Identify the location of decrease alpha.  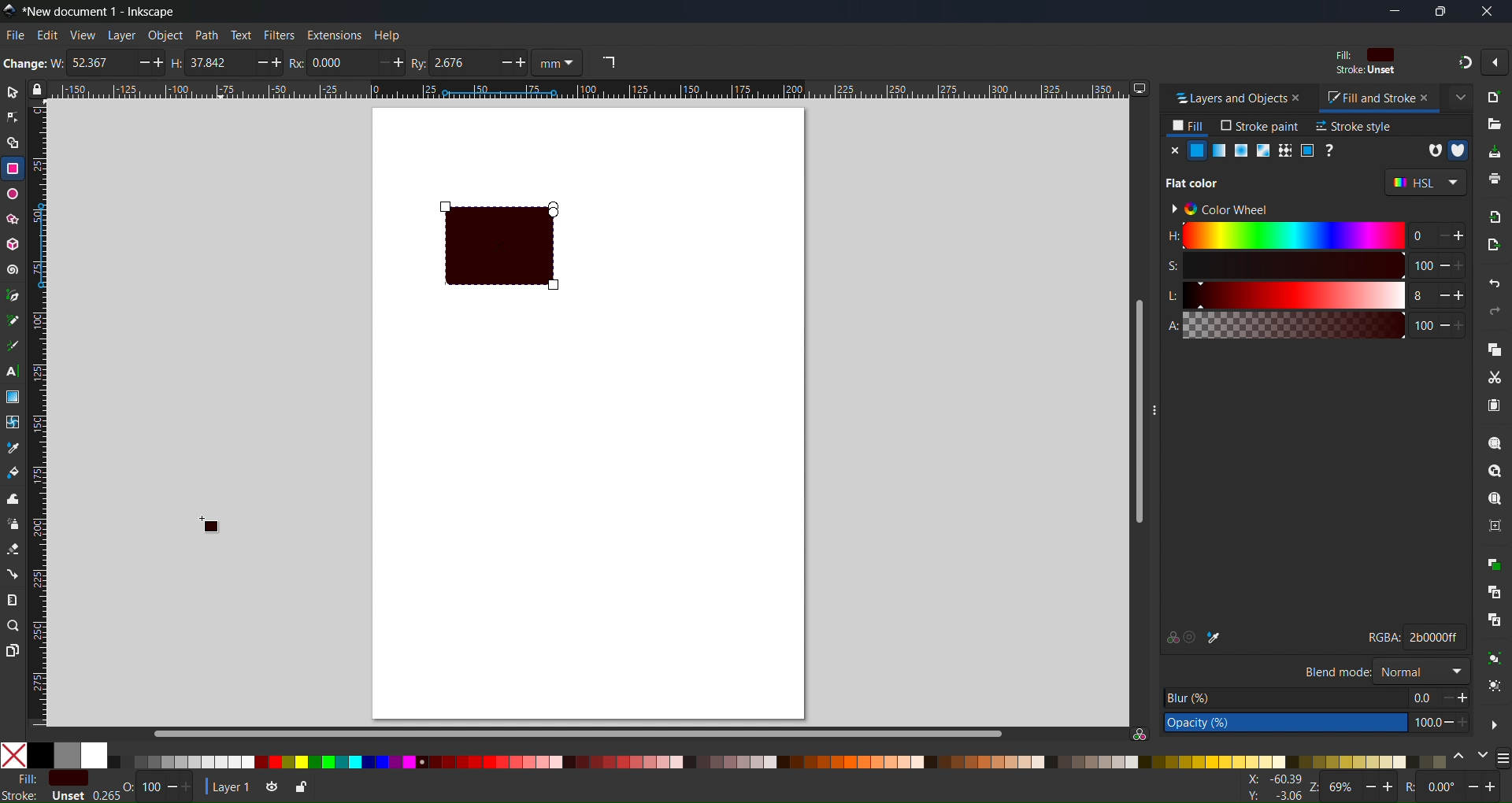
(1444, 324).